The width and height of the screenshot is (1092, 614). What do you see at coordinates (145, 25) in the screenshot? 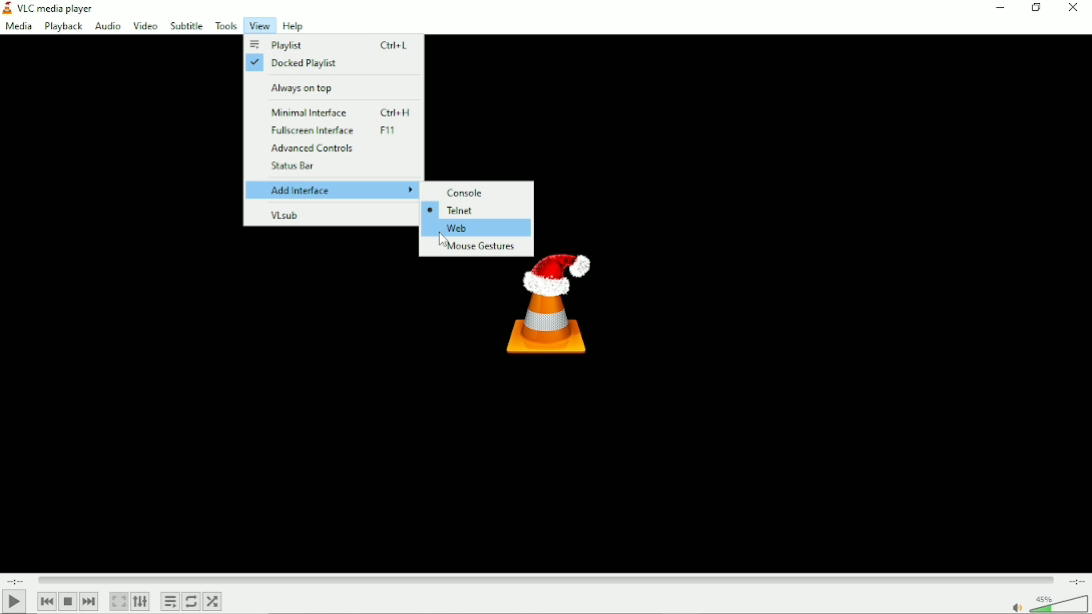
I see `Video` at bounding box center [145, 25].